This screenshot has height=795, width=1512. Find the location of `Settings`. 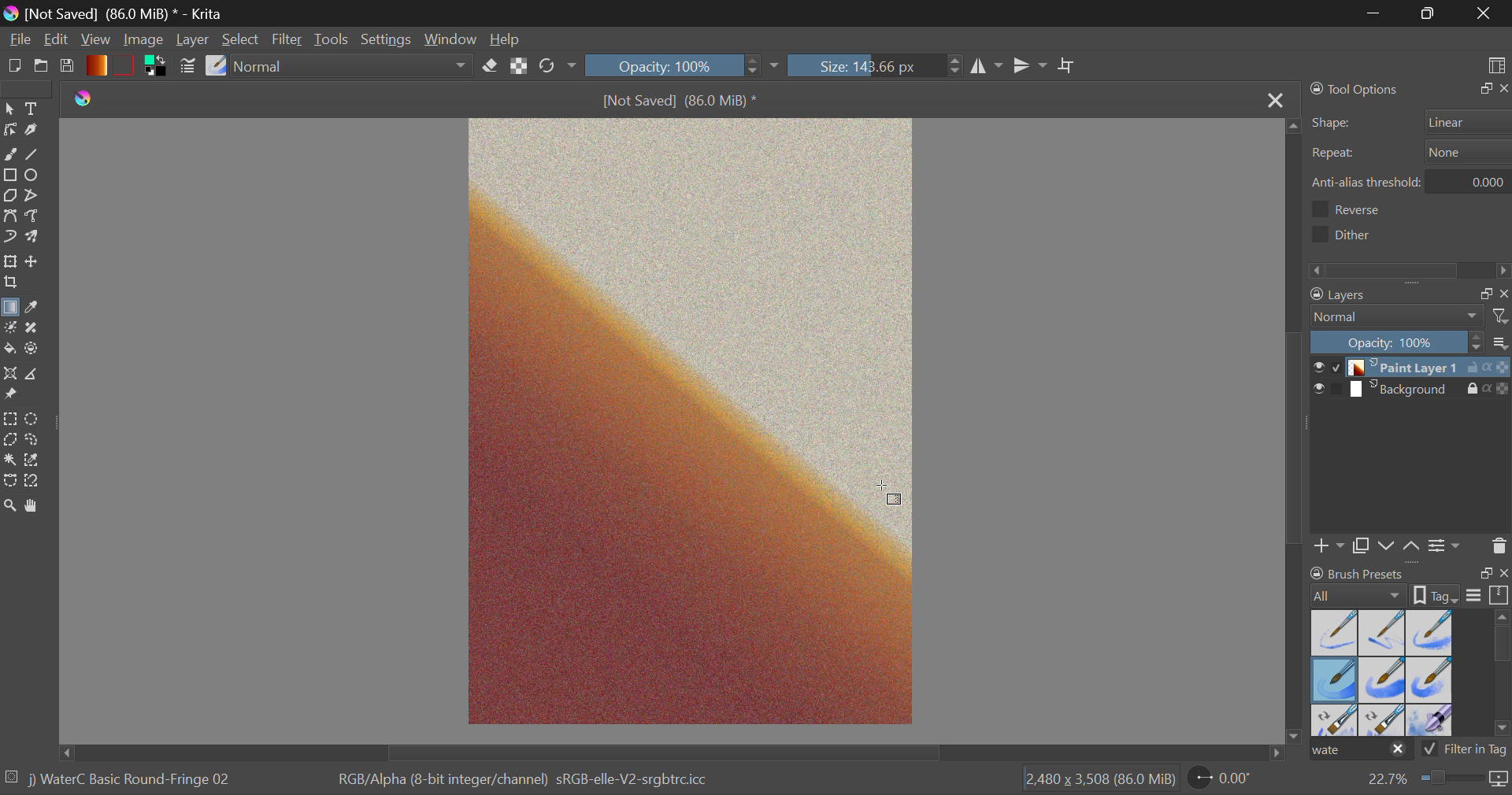

Settings is located at coordinates (387, 39).